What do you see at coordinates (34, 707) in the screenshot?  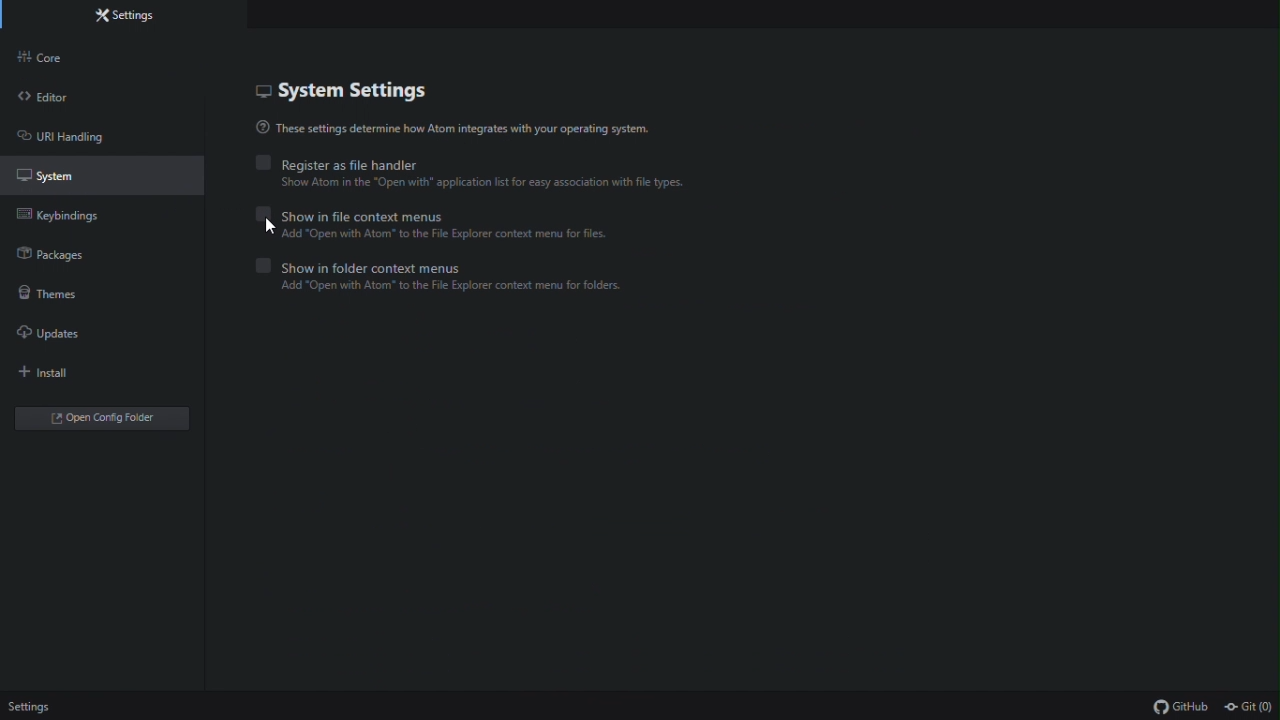 I see `Settings` at bounding box center [34, 707].